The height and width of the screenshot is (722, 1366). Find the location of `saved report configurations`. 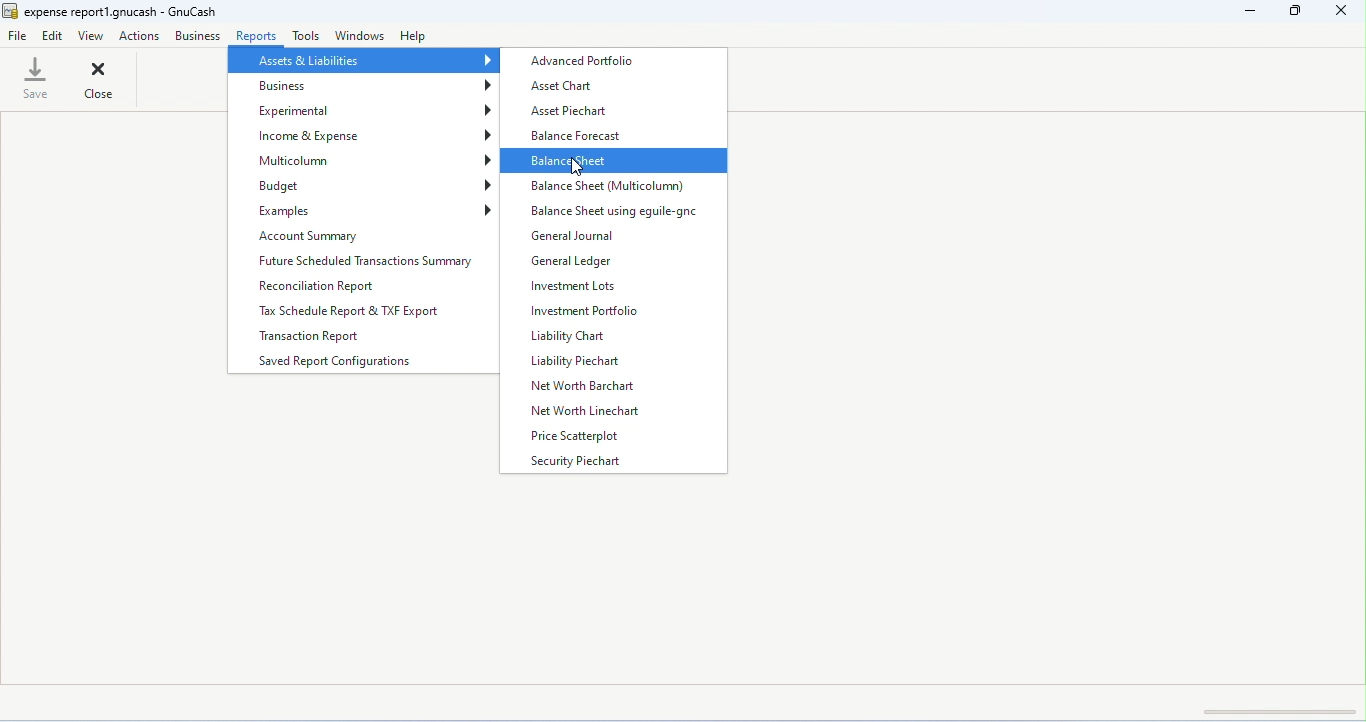

saved report configurations is located at coordinates (334, 363).